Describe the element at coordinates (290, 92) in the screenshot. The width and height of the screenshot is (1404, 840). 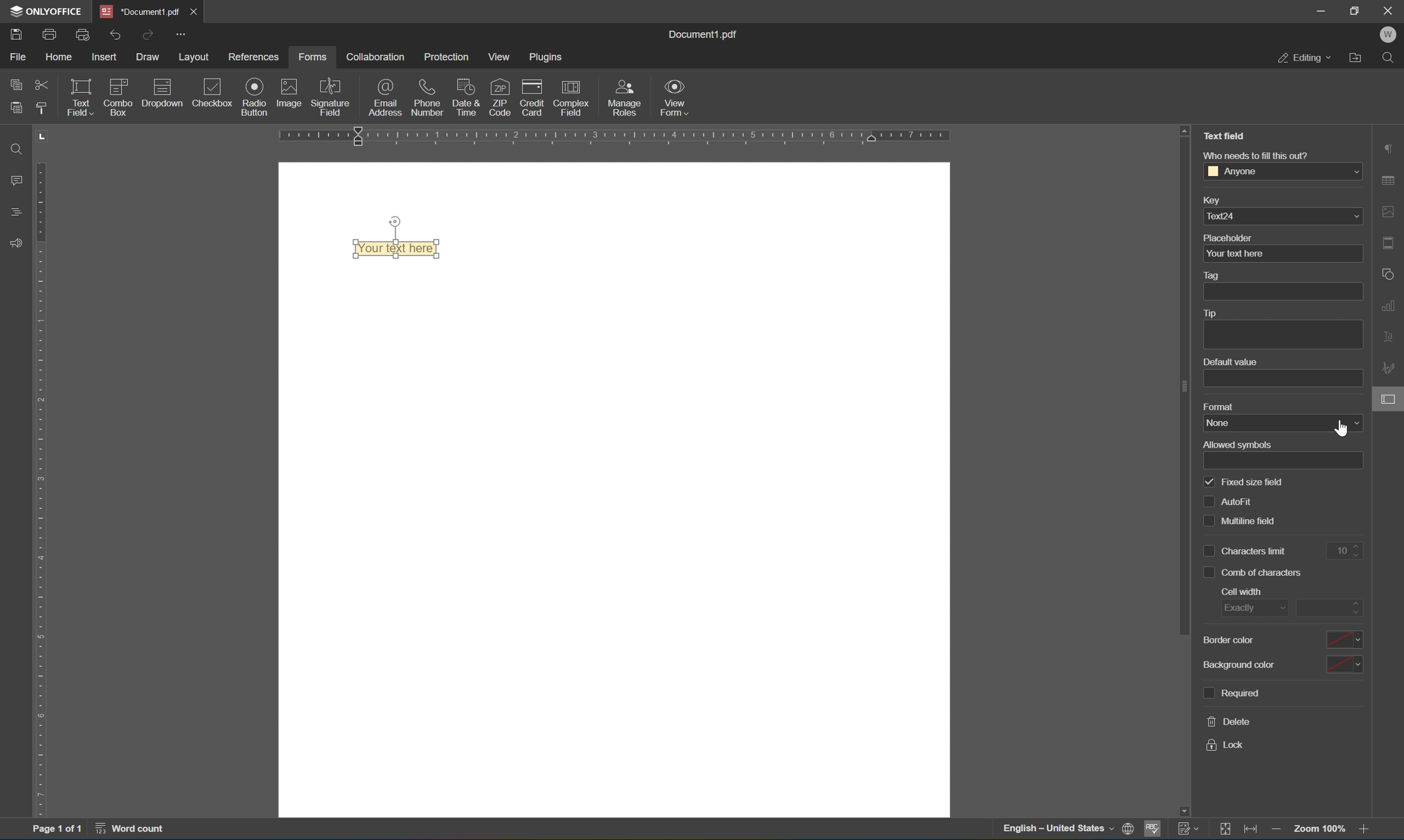
I see `image` at that location.